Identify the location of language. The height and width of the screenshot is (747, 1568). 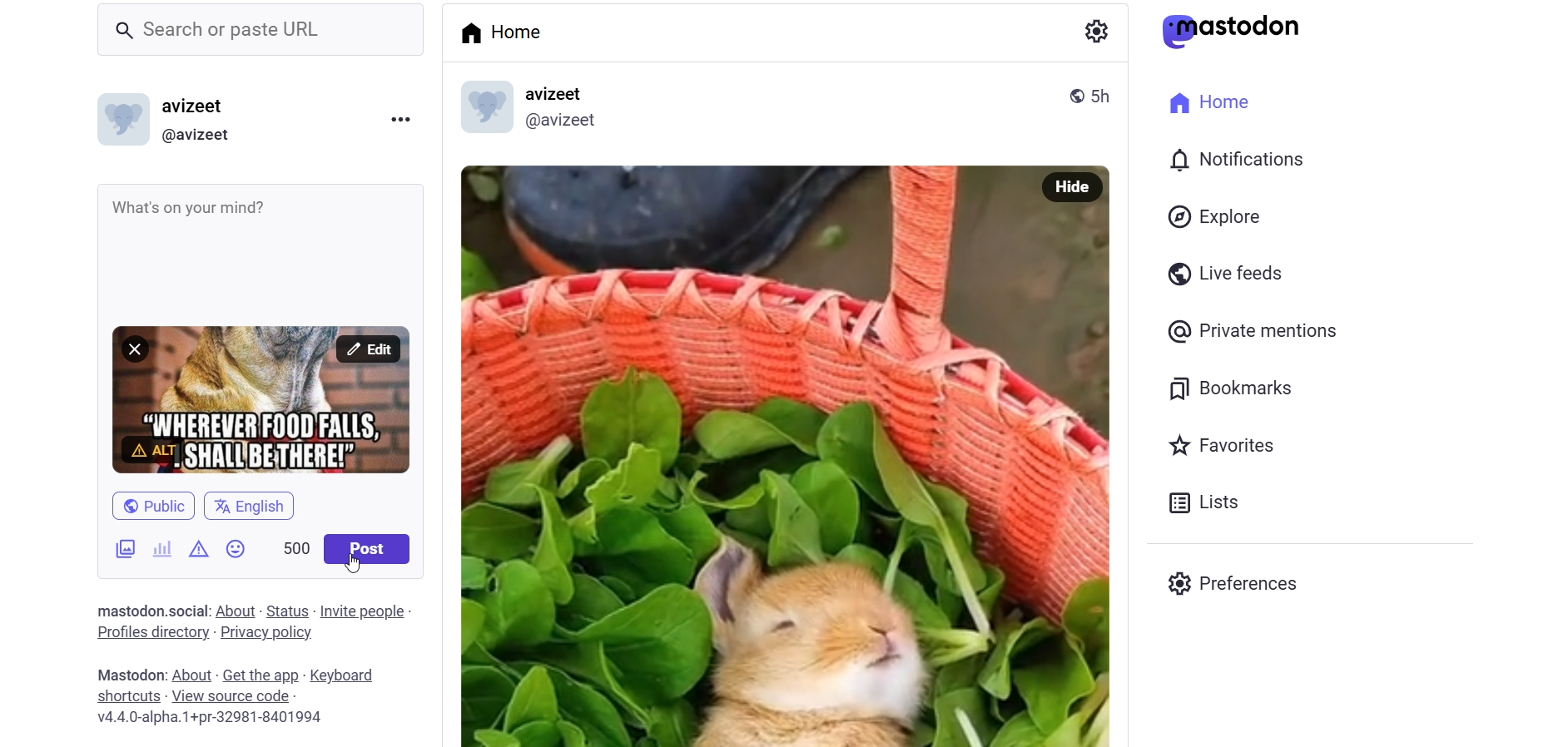
(258, 507).